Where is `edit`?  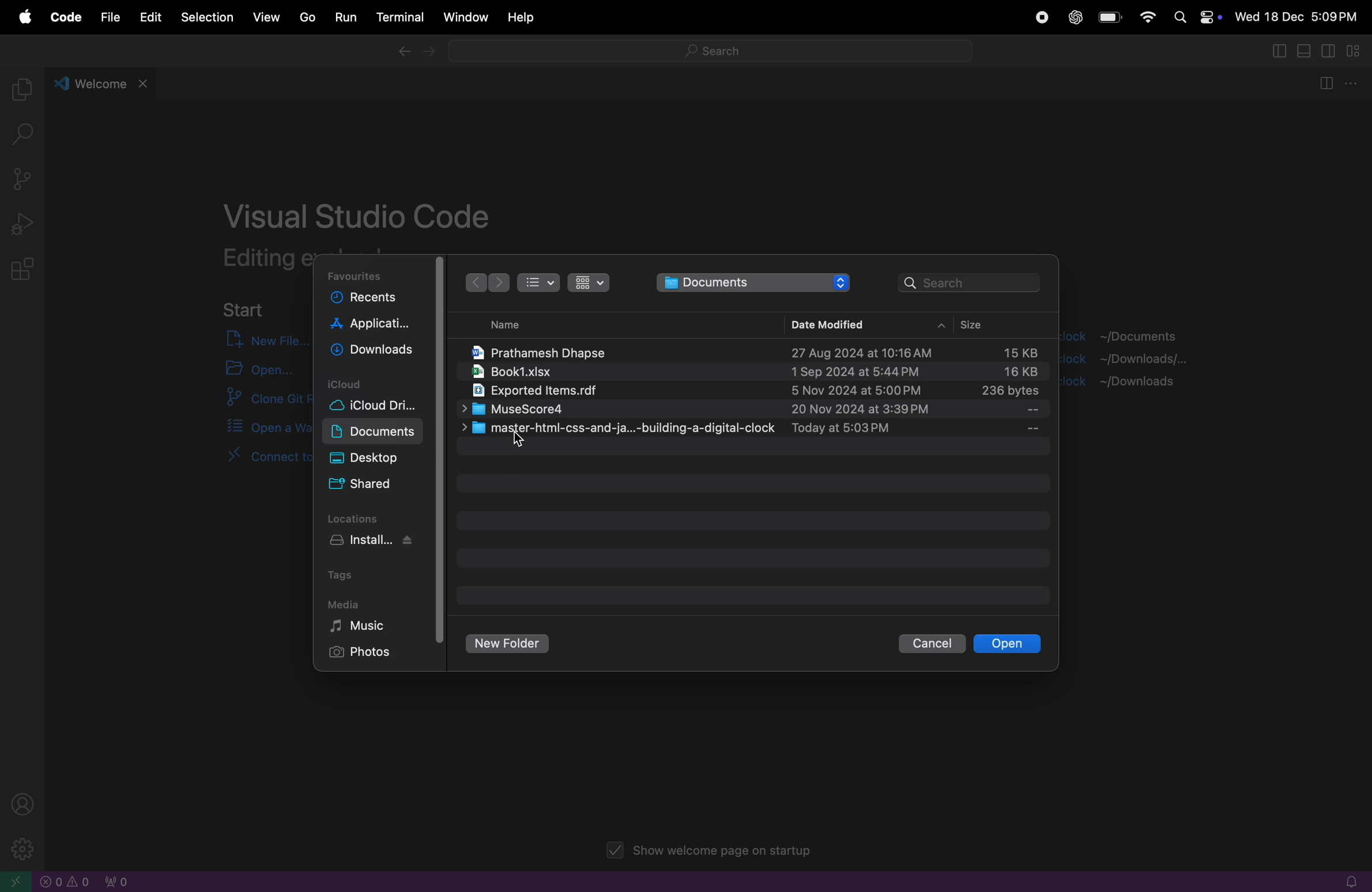 edit is located at coordinates (149, 17).